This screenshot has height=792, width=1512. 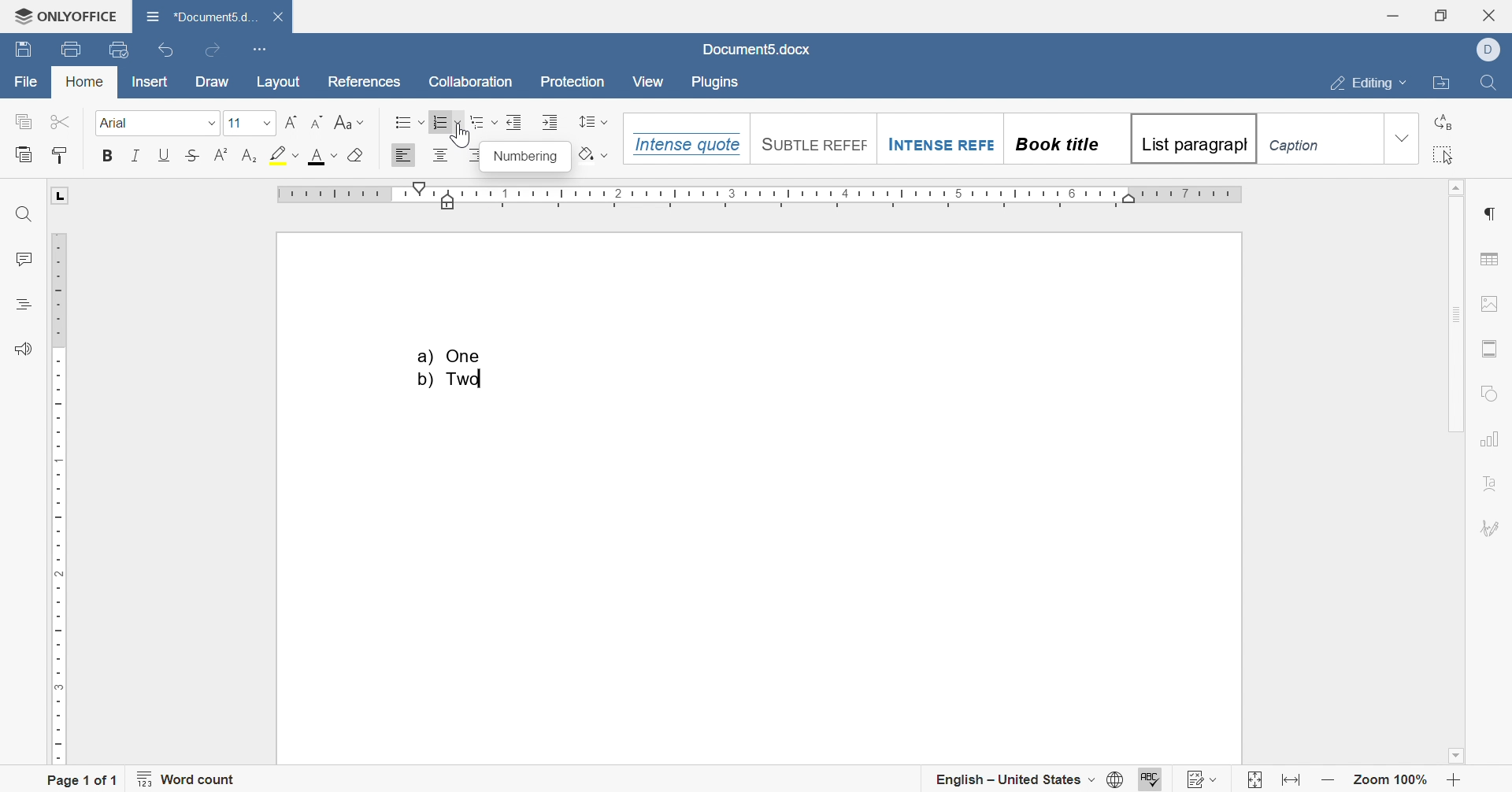 What do you see at coordinates (595, 153) in the screenshot?
I see `shading` at bounding box center [595, 153].